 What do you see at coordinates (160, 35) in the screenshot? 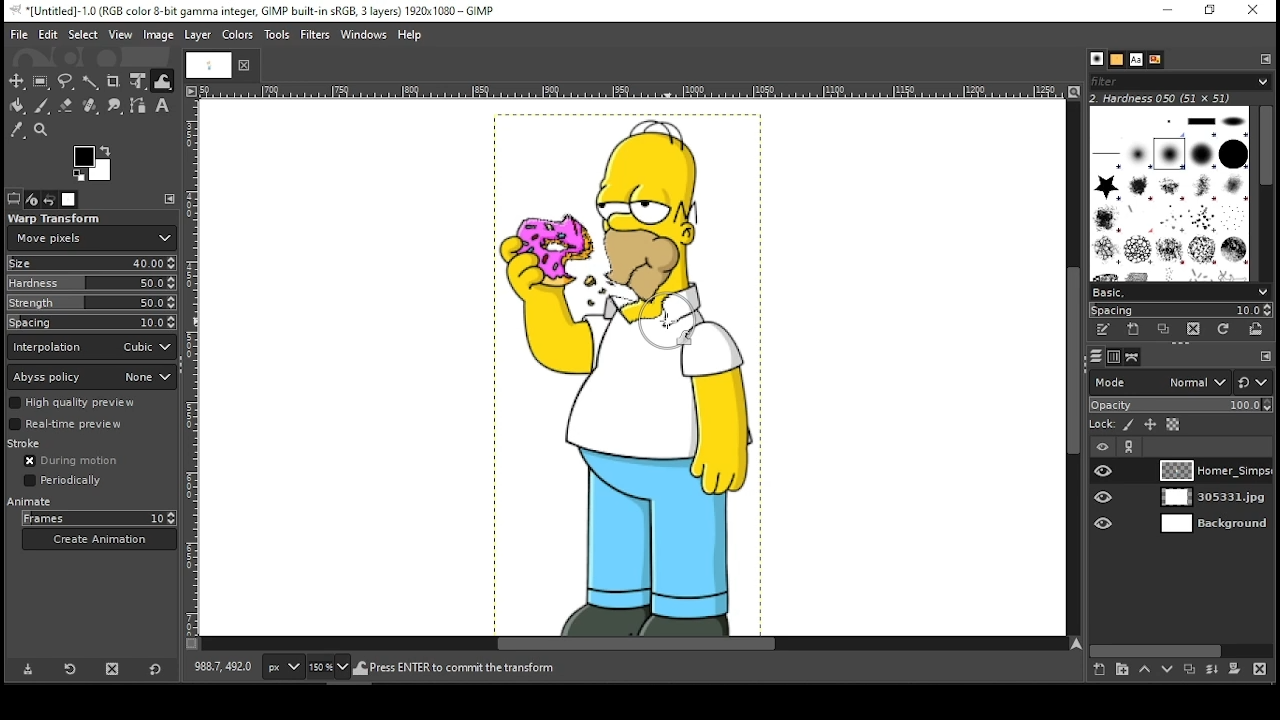
I see `image` at bounding box center [160, 35].